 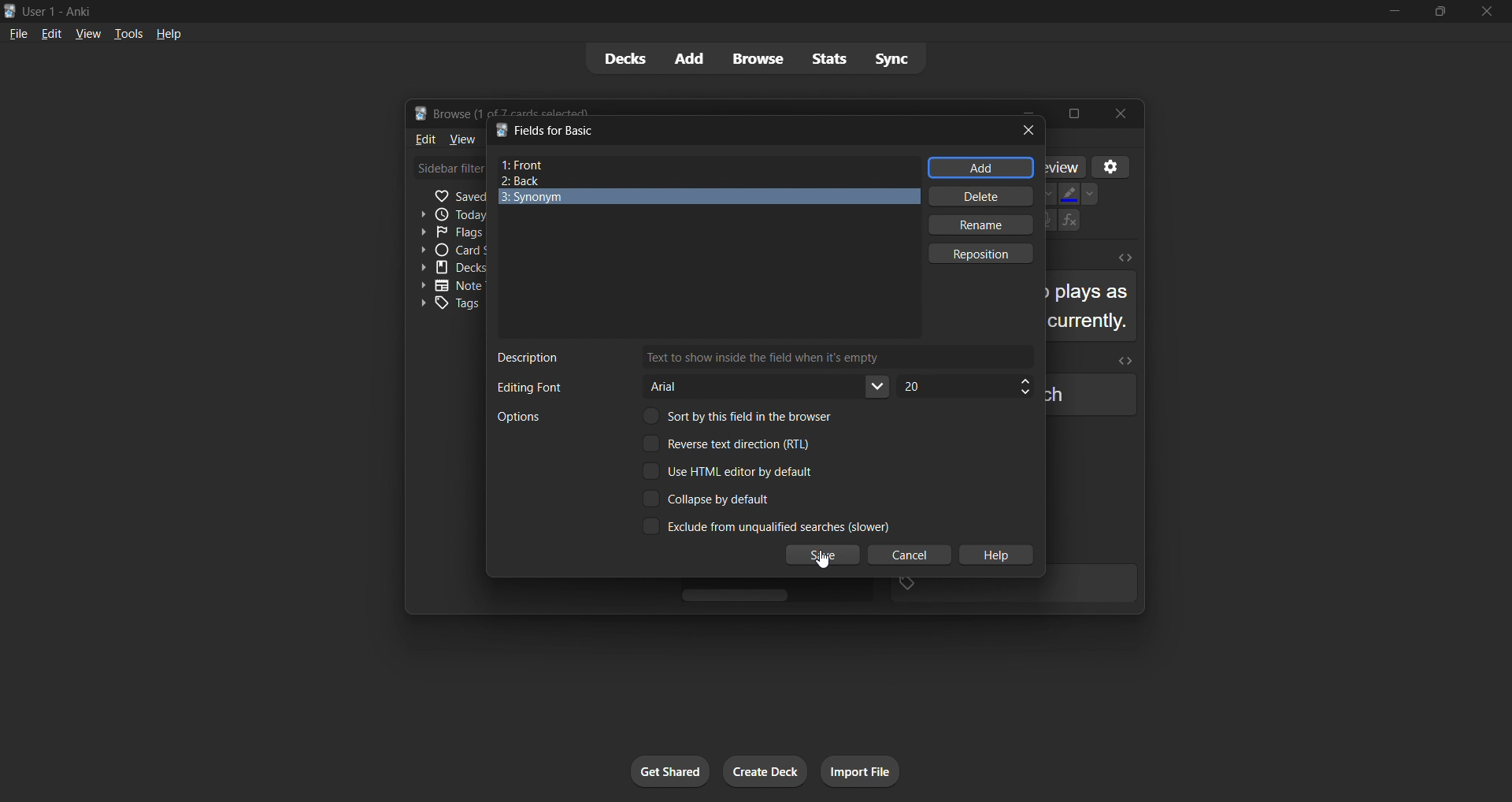 What do you see at coordinates (695, 385) in the screenshot?
I see `field font` at bounding box center [695, 385].